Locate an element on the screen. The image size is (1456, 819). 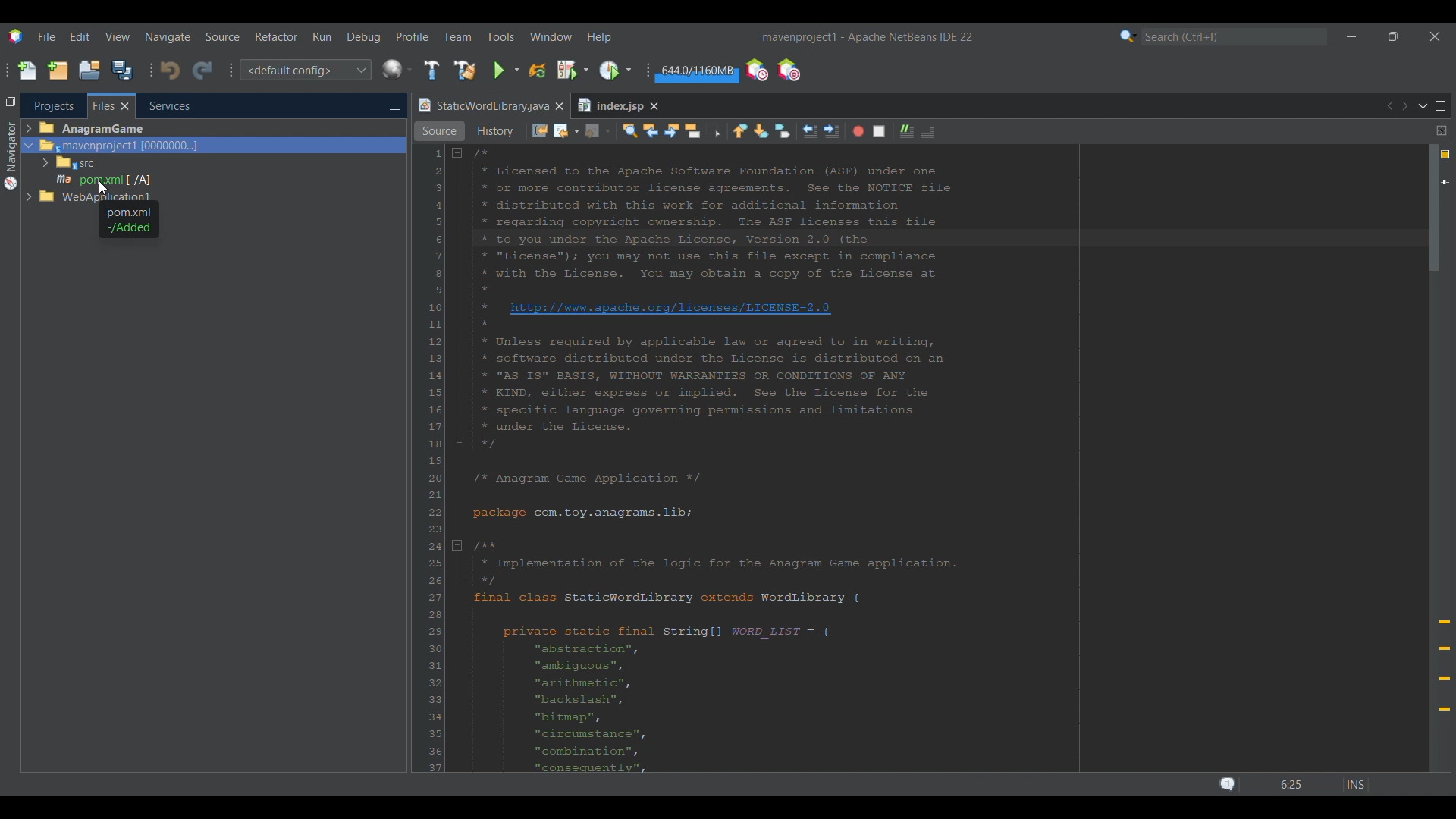
Expand is located at coordinates (45, 163).